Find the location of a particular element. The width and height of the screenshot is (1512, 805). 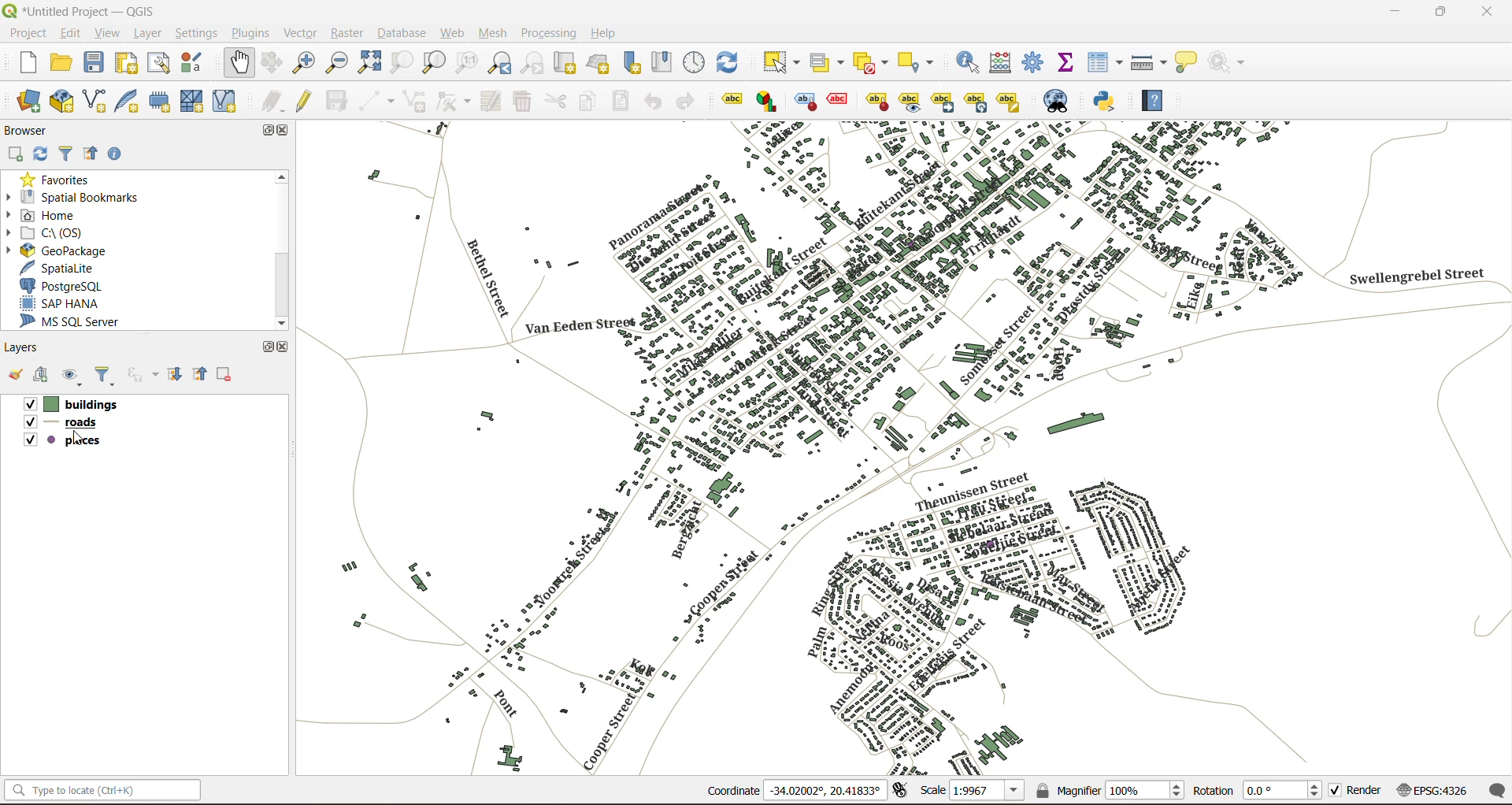

move a label\diagram or callout is located at coordinates (945, 103).